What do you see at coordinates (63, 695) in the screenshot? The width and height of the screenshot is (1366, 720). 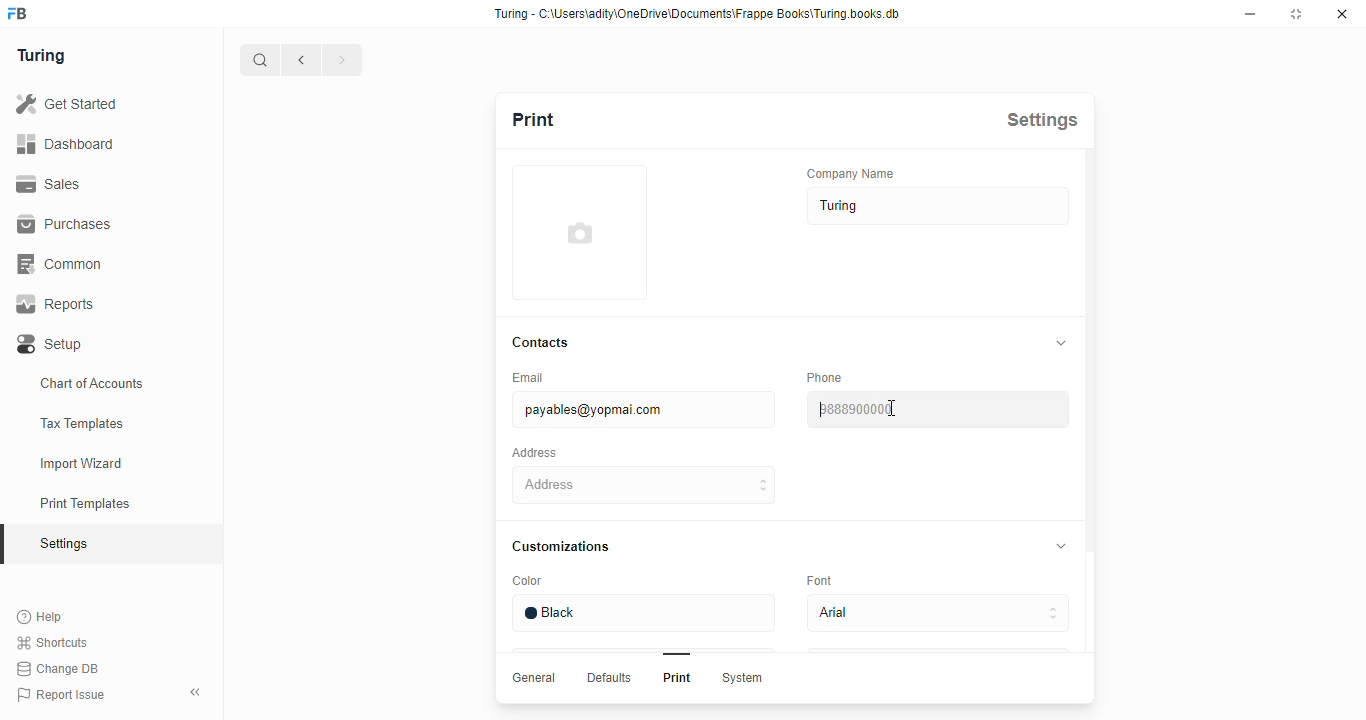 I see `Report Issue` at bounding box center [63, 695].